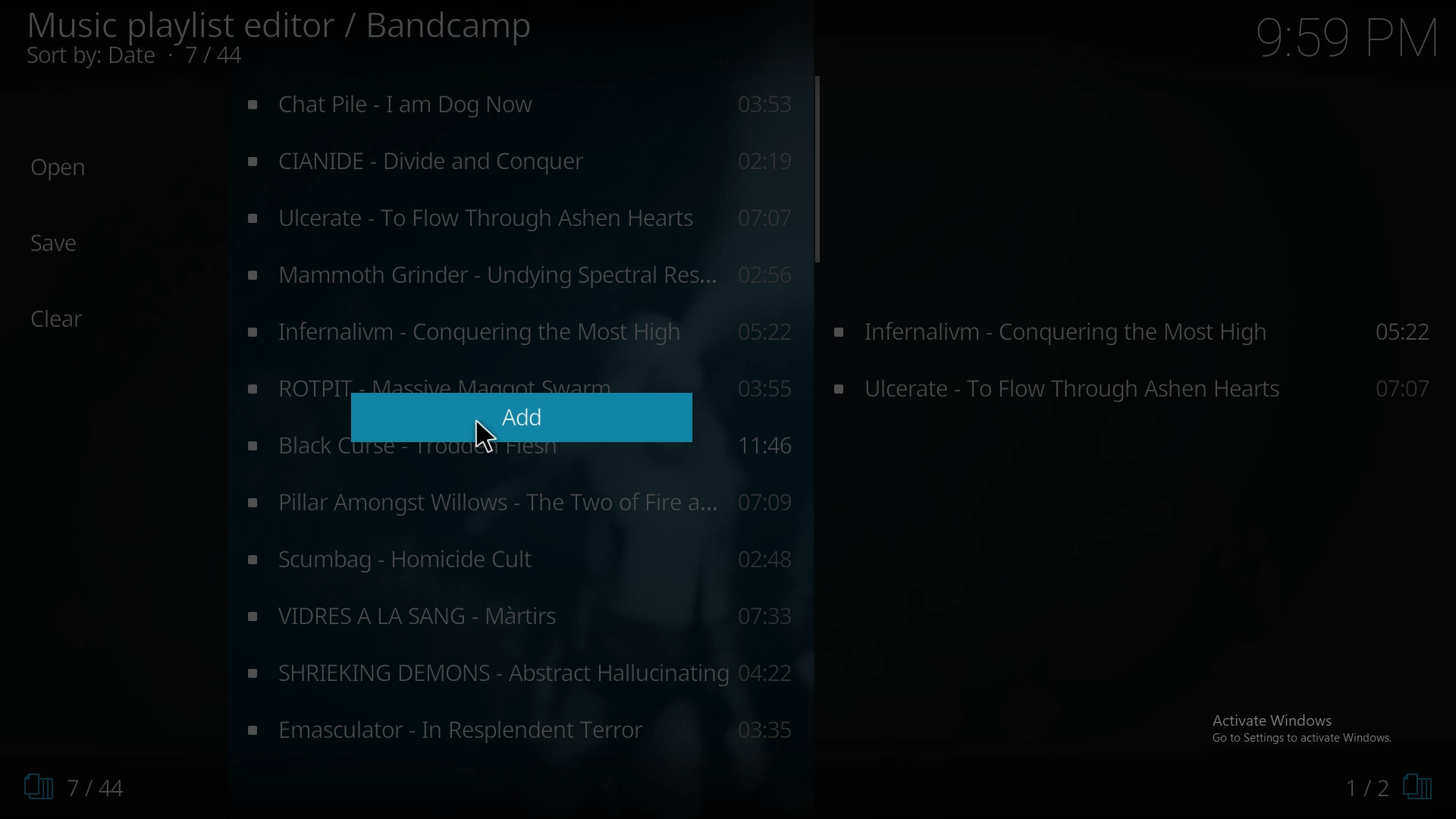 This screenshot has width=1456, height=819. I want to click on Add, so click(518, 414).